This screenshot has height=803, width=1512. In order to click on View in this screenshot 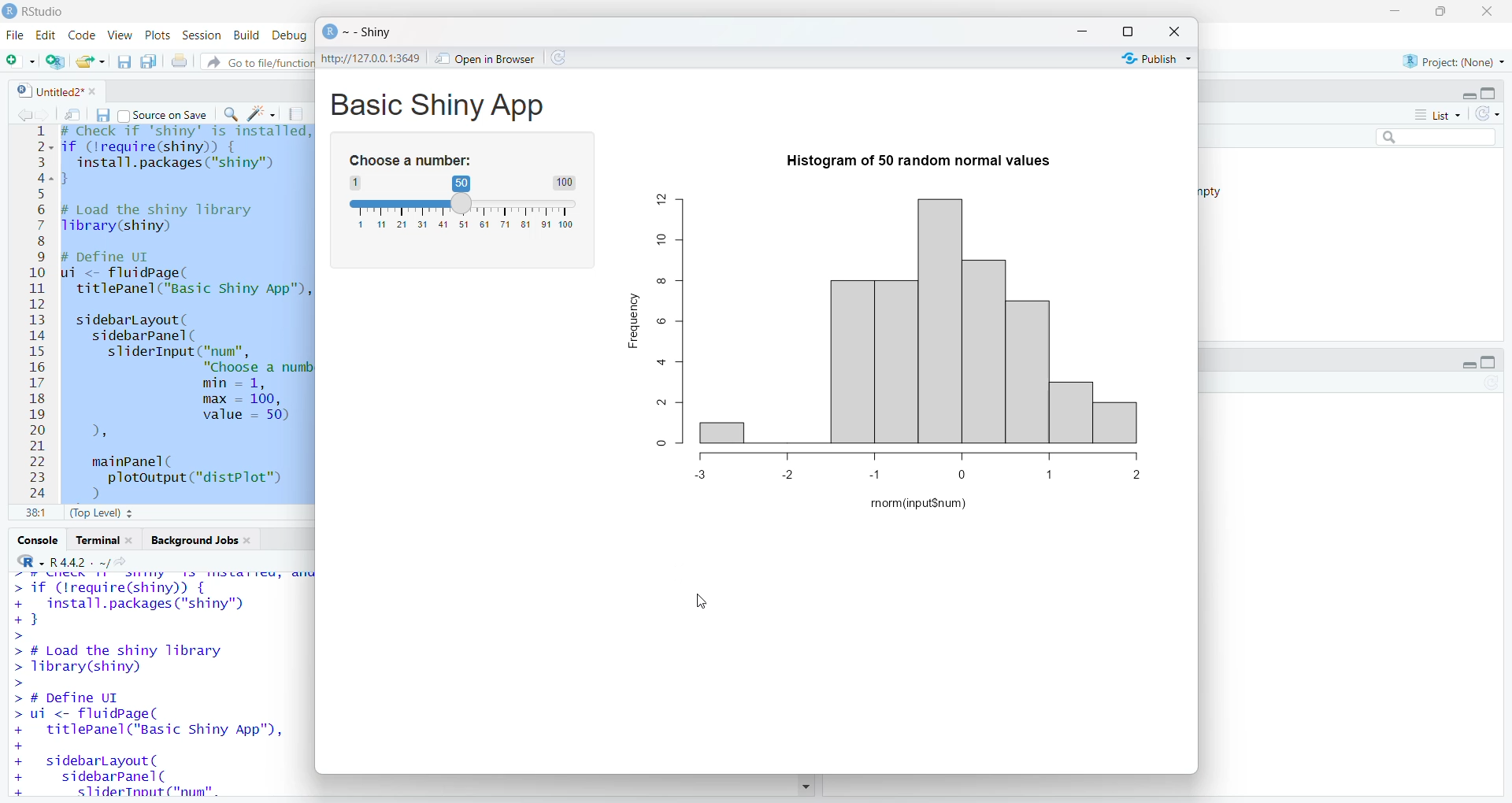, I will do `click(120, 35)`.